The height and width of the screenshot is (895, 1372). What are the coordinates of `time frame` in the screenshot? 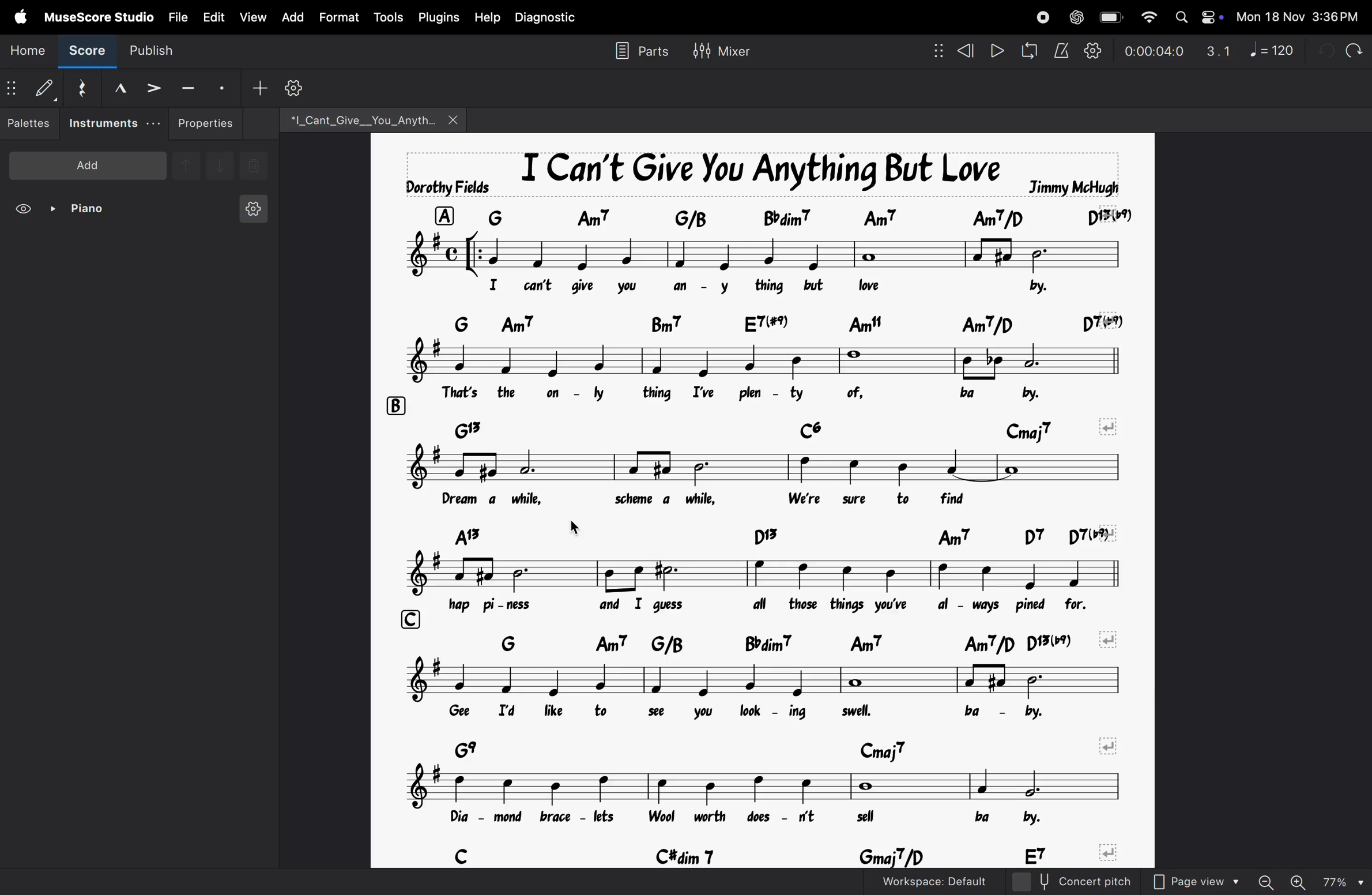 It's located at (1149, 51).